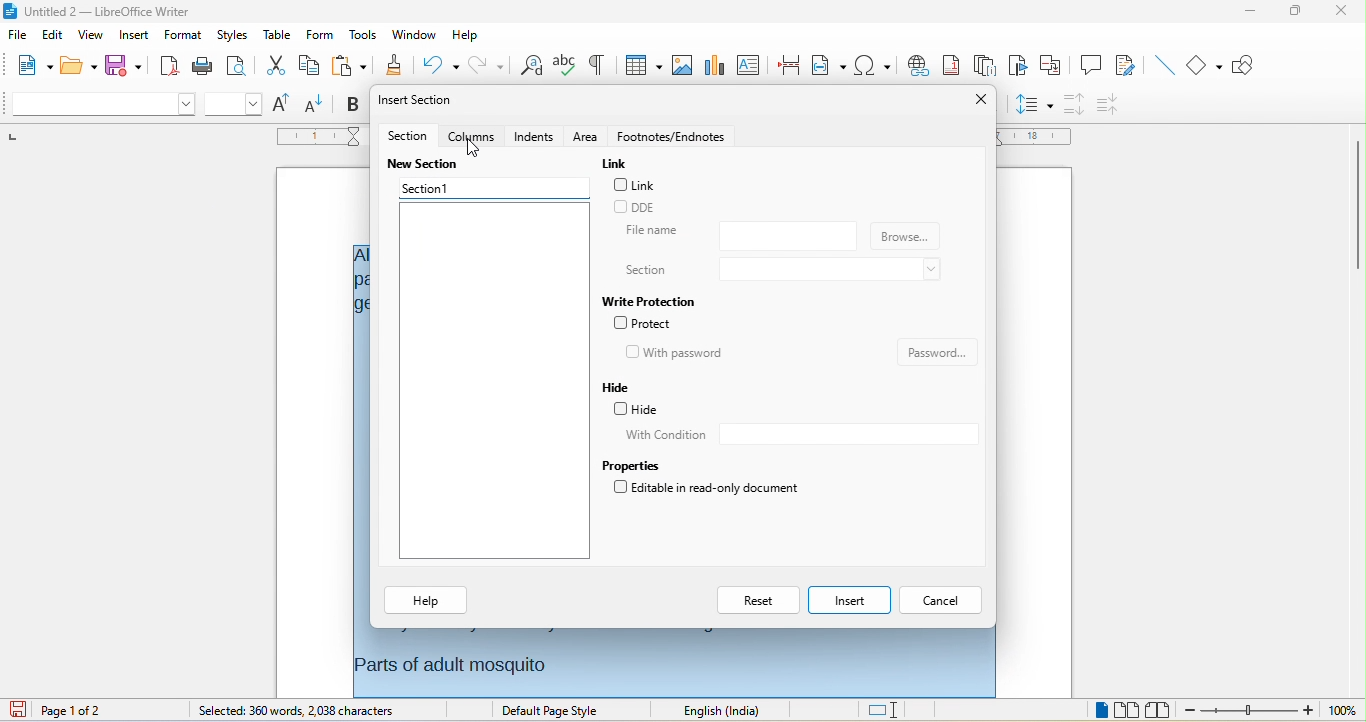 The width and height of the screenshot is (1366, 722). What do you see at coordinates (531, 67) in the screenshot?
I see `find and replace` at bounding box center [531, 67].